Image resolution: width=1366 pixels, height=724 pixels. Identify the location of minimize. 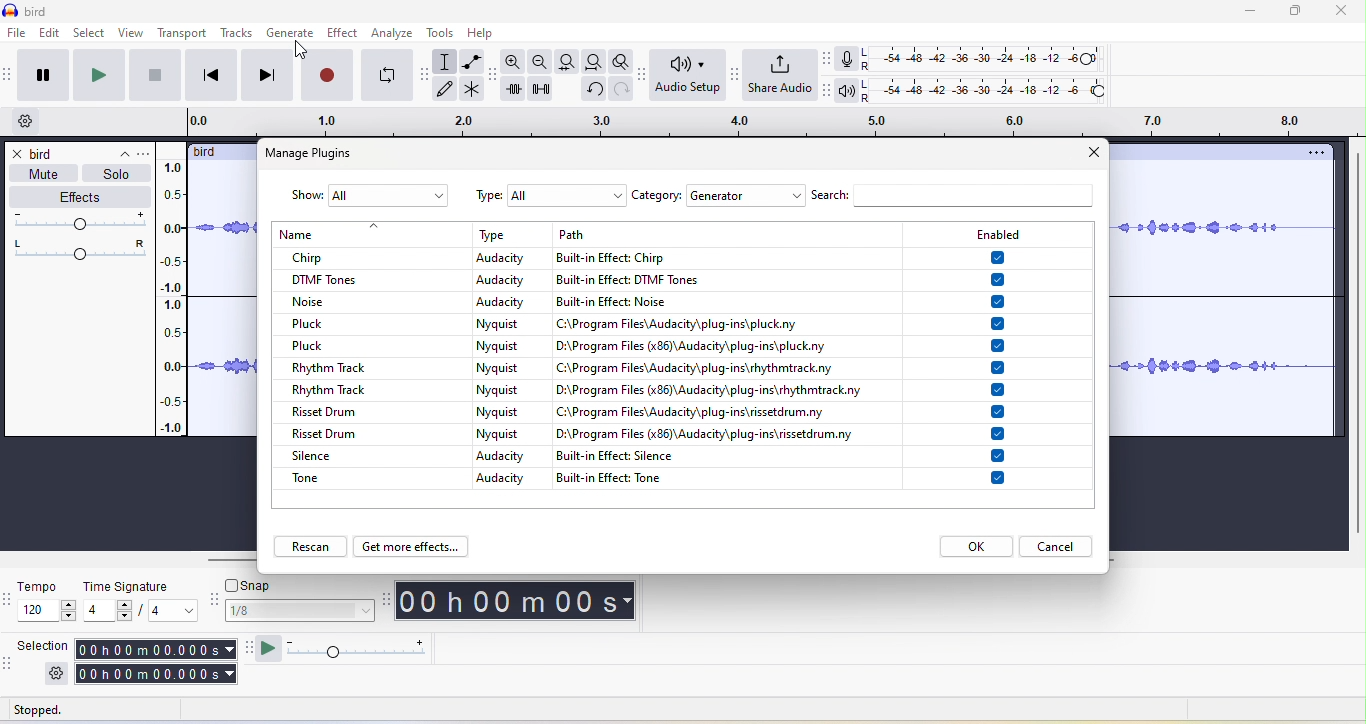
(1250, 13).